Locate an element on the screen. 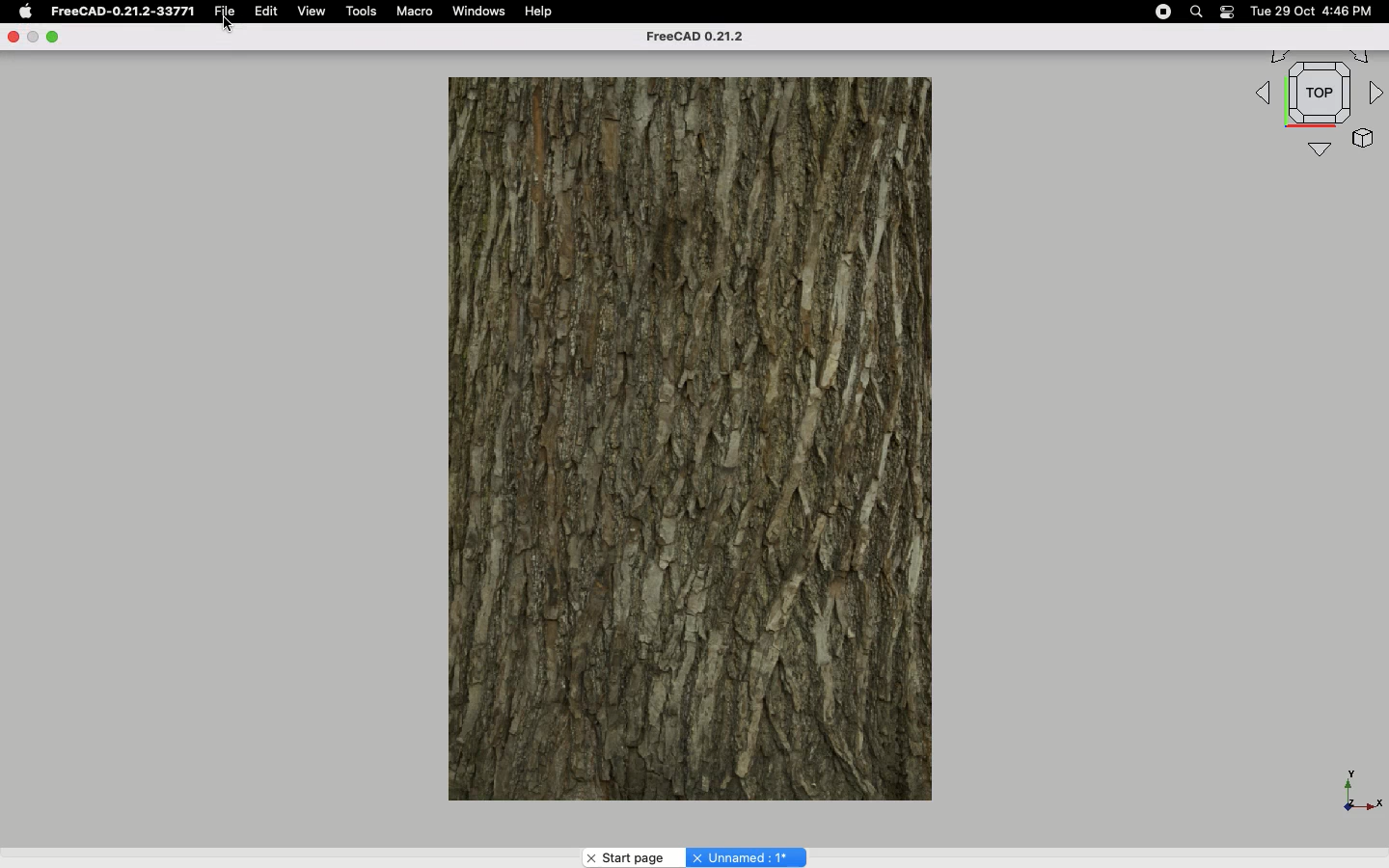 This screenshot has height=868, width=1389. Minimize is located at coordinates (53, 38).